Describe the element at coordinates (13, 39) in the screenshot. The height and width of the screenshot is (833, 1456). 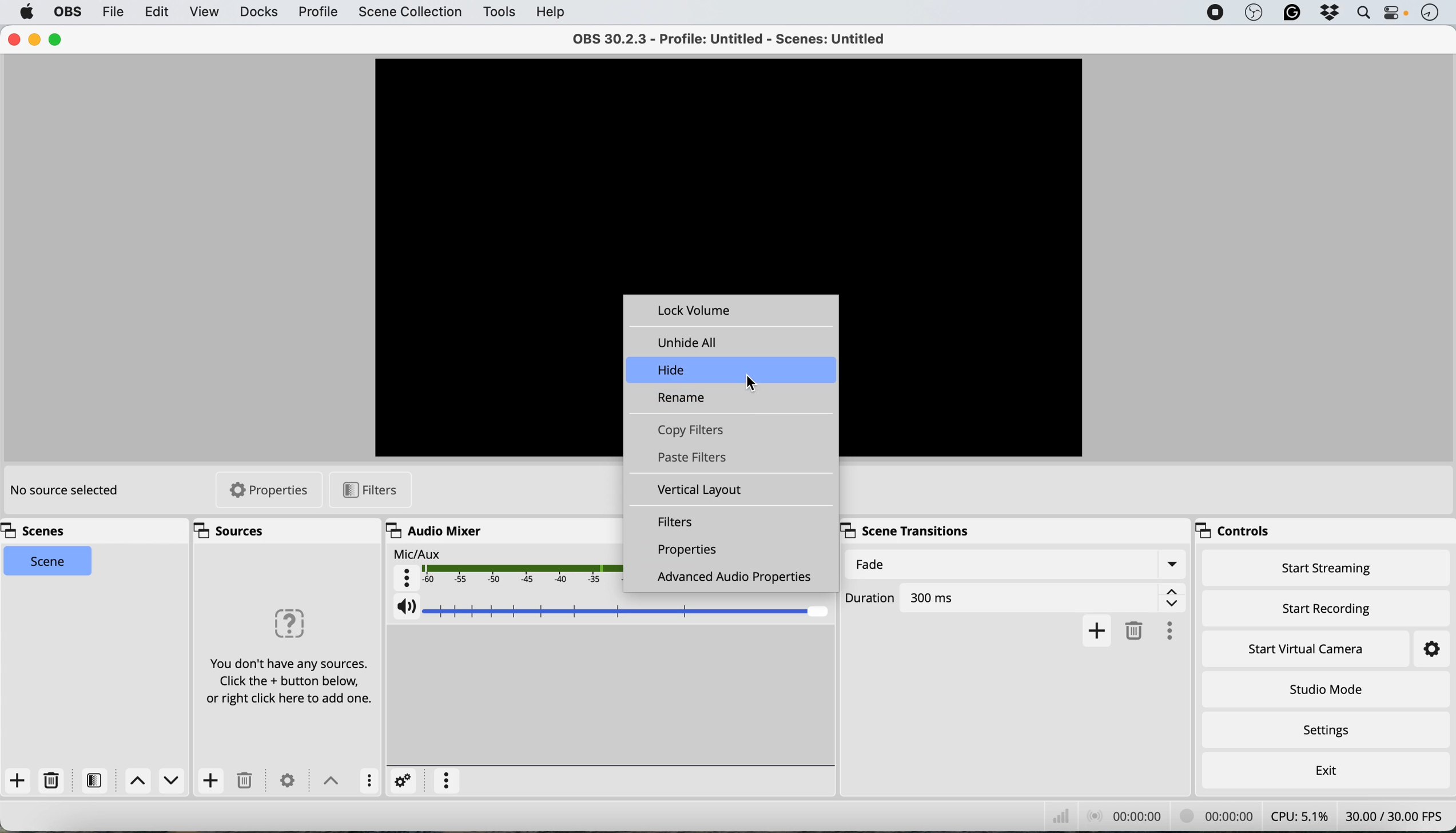
I see `close` at that location.